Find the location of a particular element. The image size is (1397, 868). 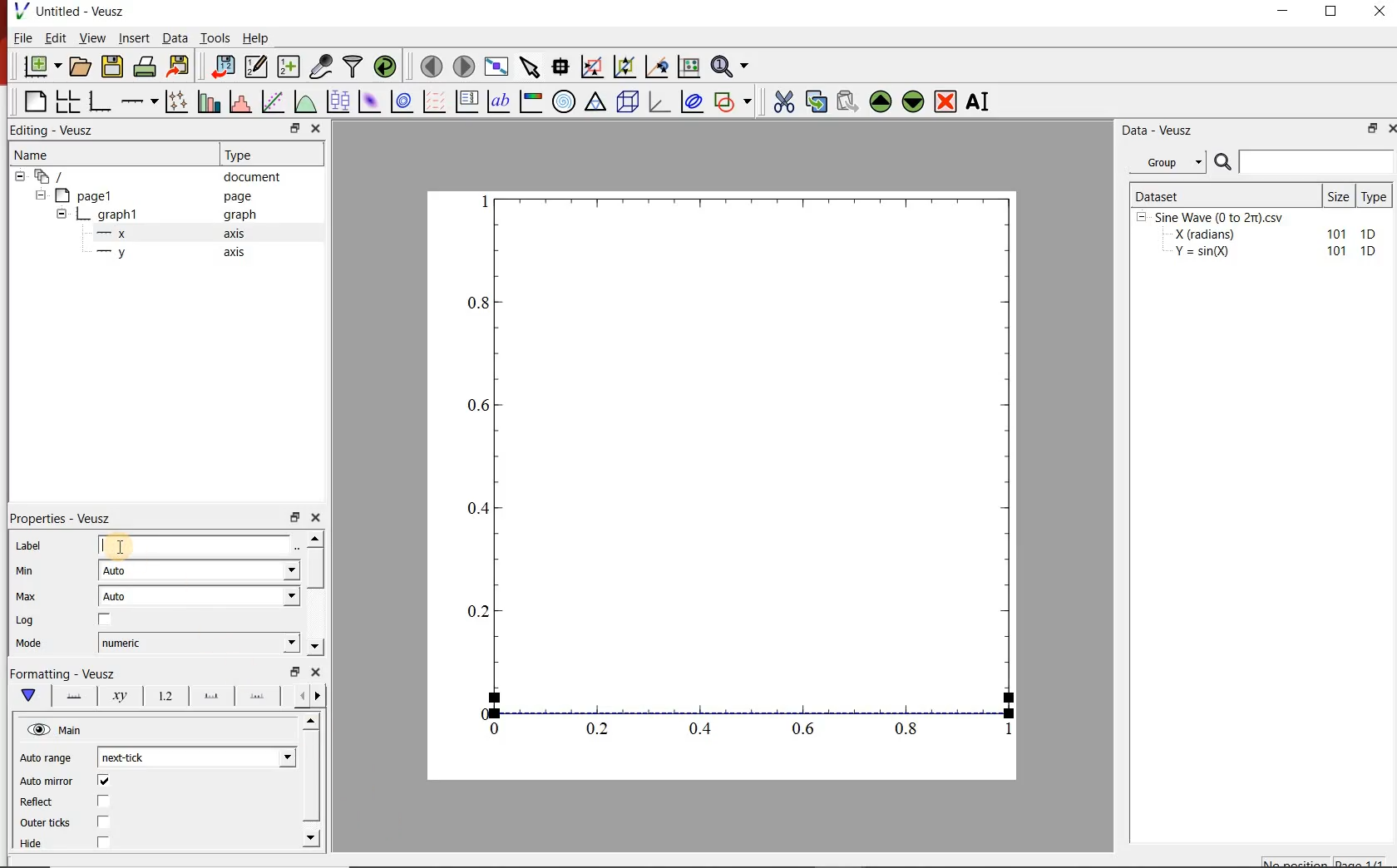

text label is located at coordinates (499, 101).